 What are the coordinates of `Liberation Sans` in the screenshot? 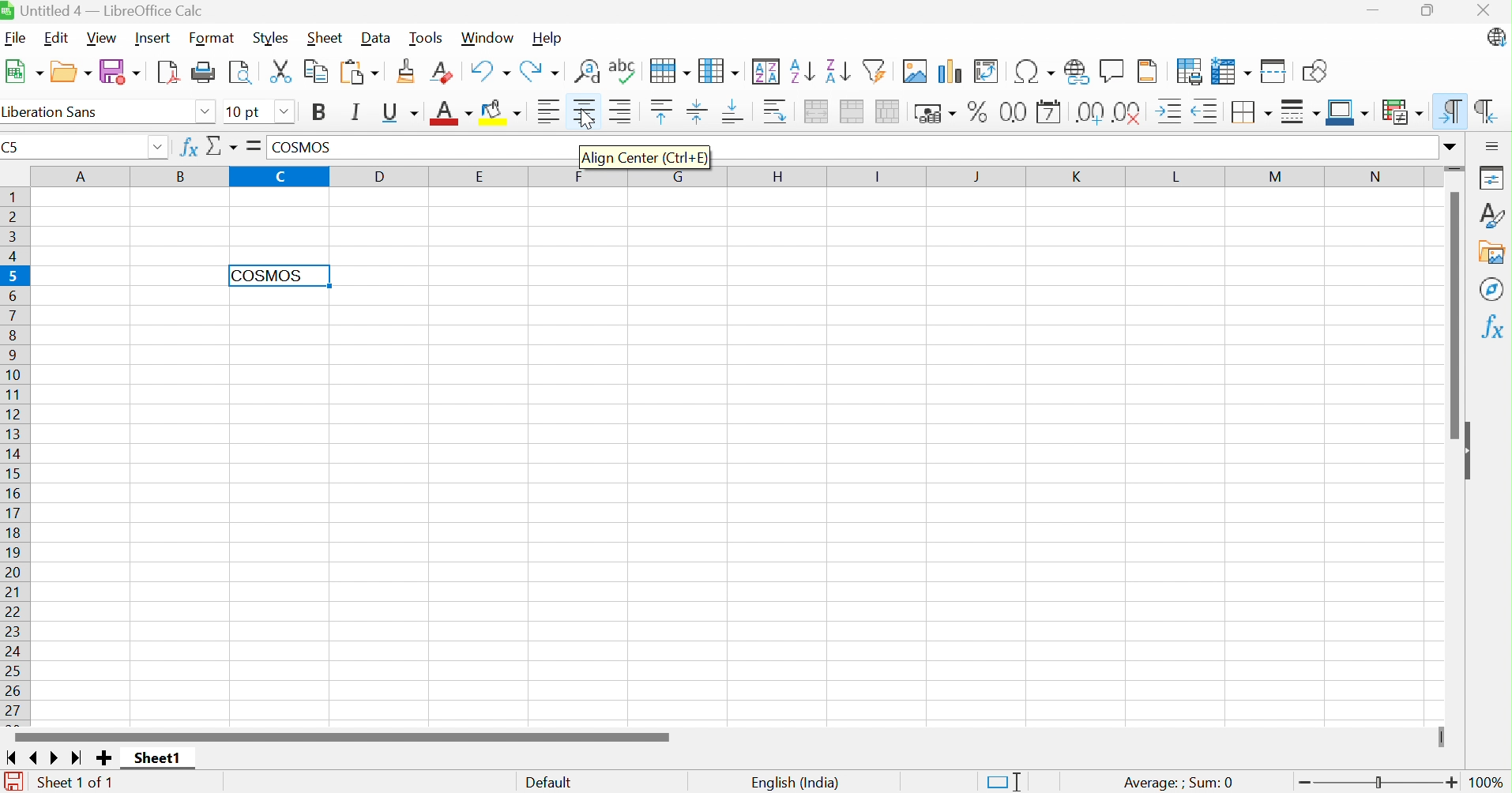 It's located at (54, 112).